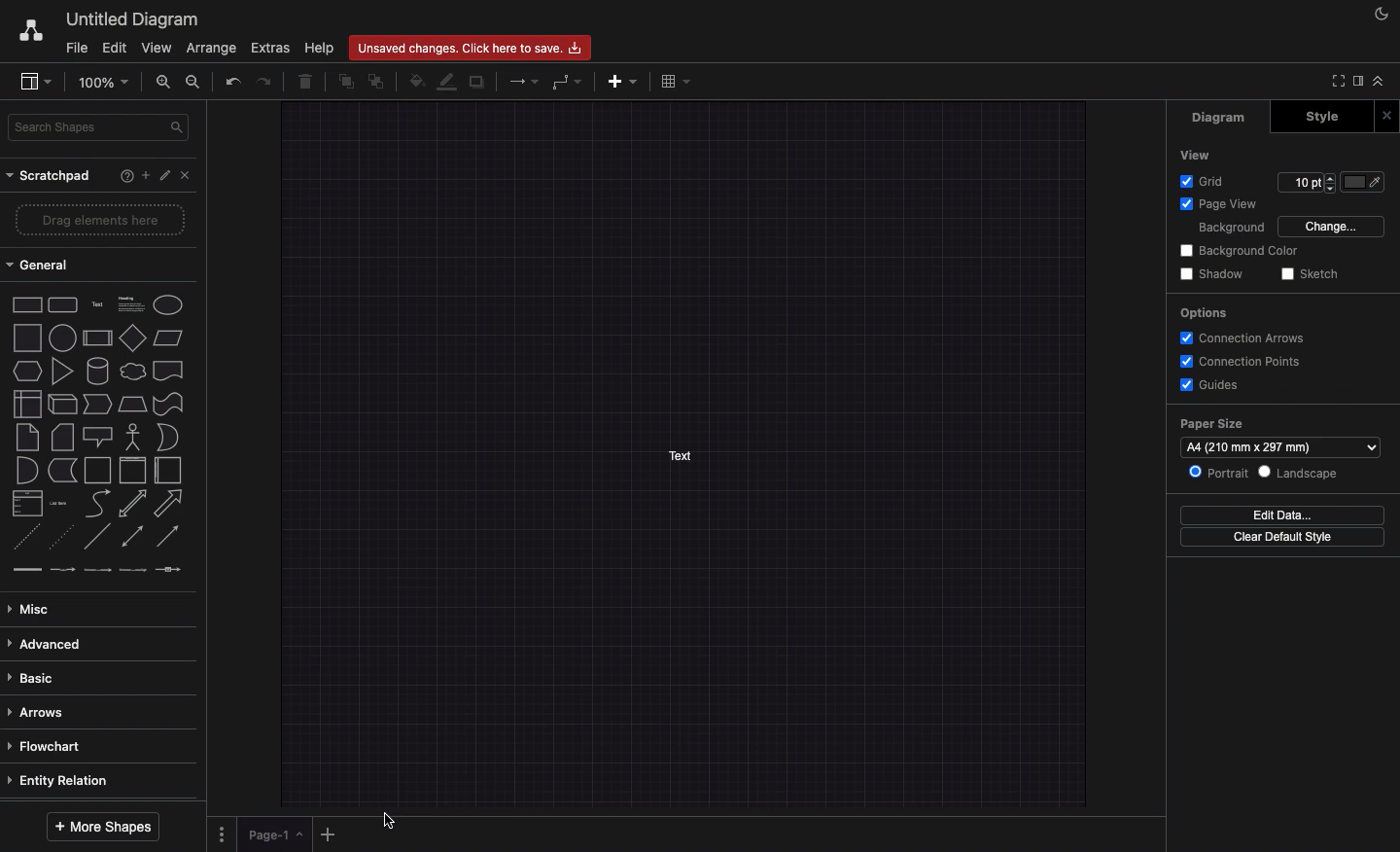  Describe the element at coordinates (1246, 337) in the screenshot. I see `Connection arrows` at that location.